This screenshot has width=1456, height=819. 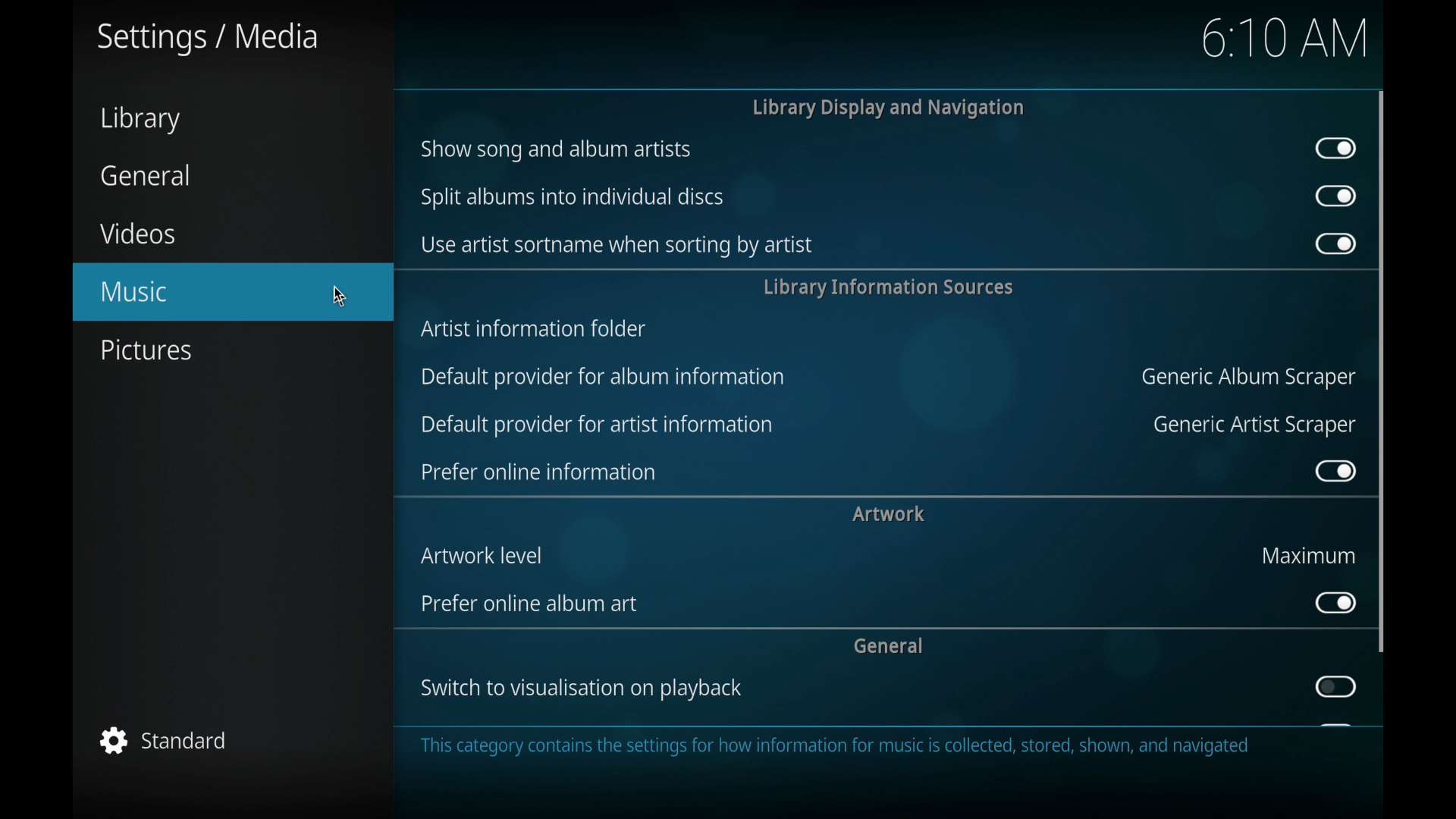 I want to click on toggle button, so click(x=1334, y=602).